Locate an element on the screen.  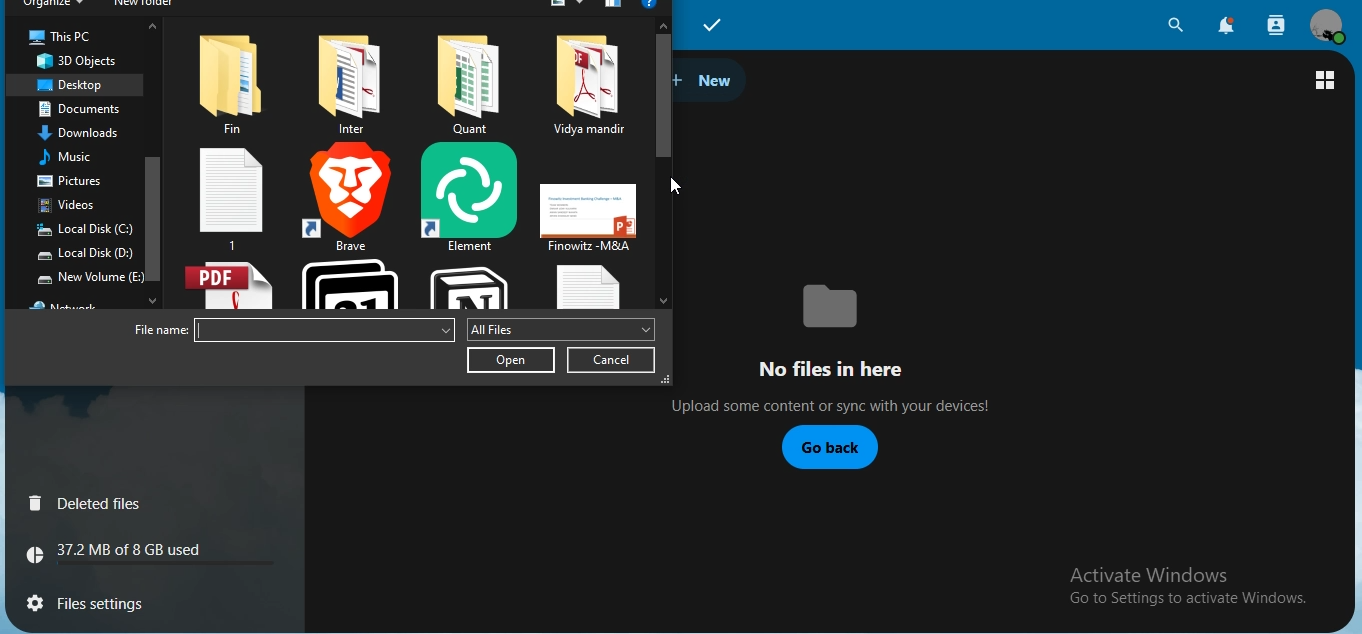
notifications is located at coordinates (1228, 27).